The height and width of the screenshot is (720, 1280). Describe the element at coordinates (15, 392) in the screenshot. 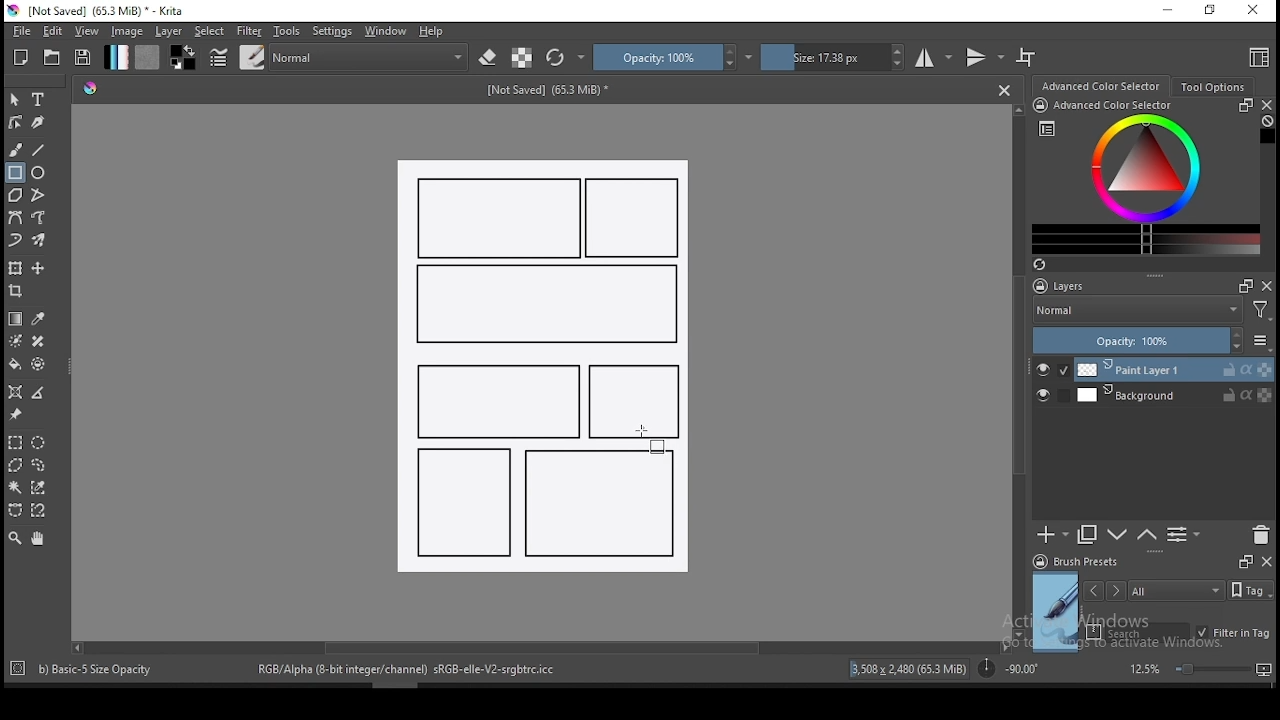

I see `assistant tool` at that location.